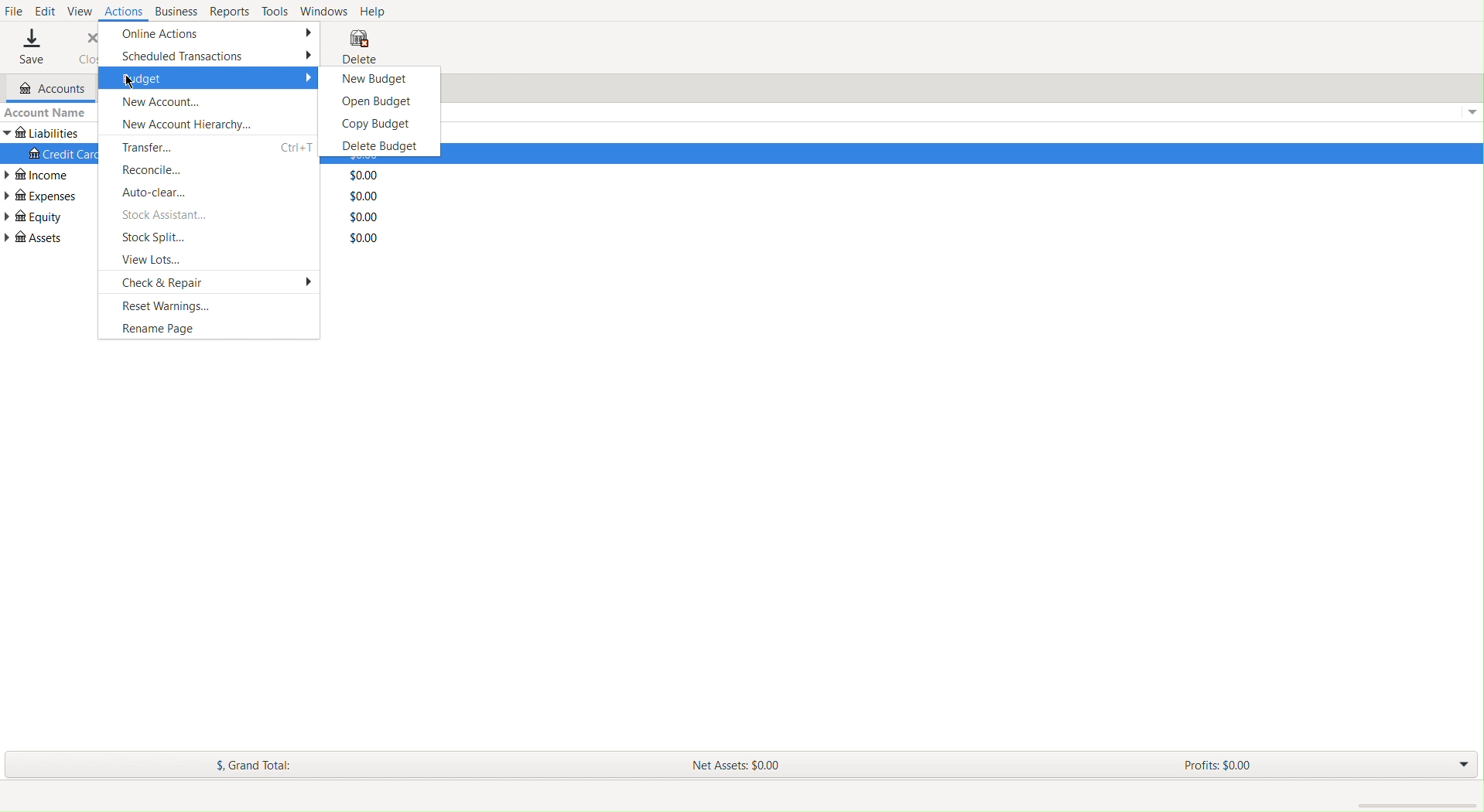  Describe the element at coordinates (50, 113) in the screenshot. I see `Account Name` at that location.